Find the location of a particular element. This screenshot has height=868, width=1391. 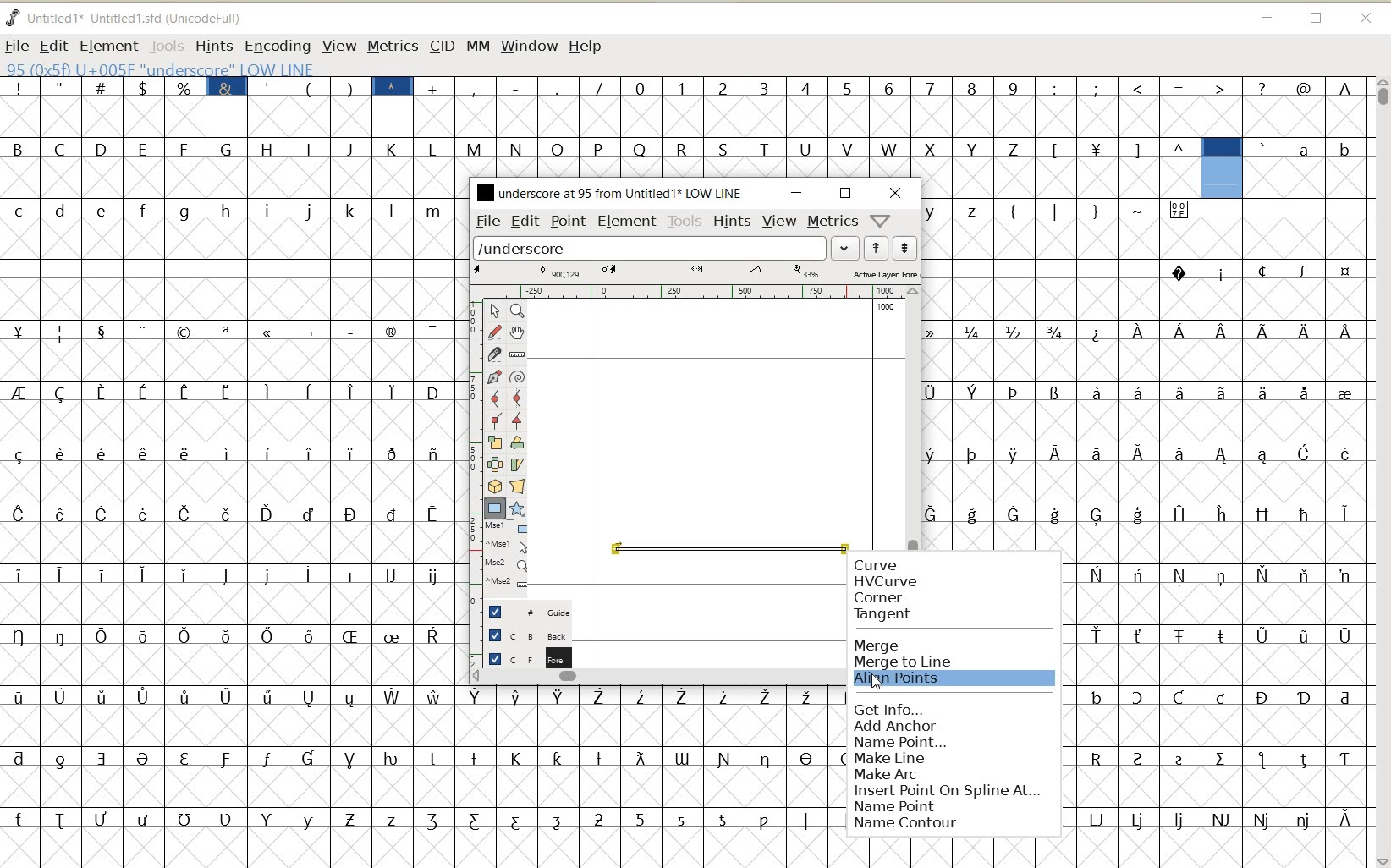

name point is located at coordinates (948, 740).